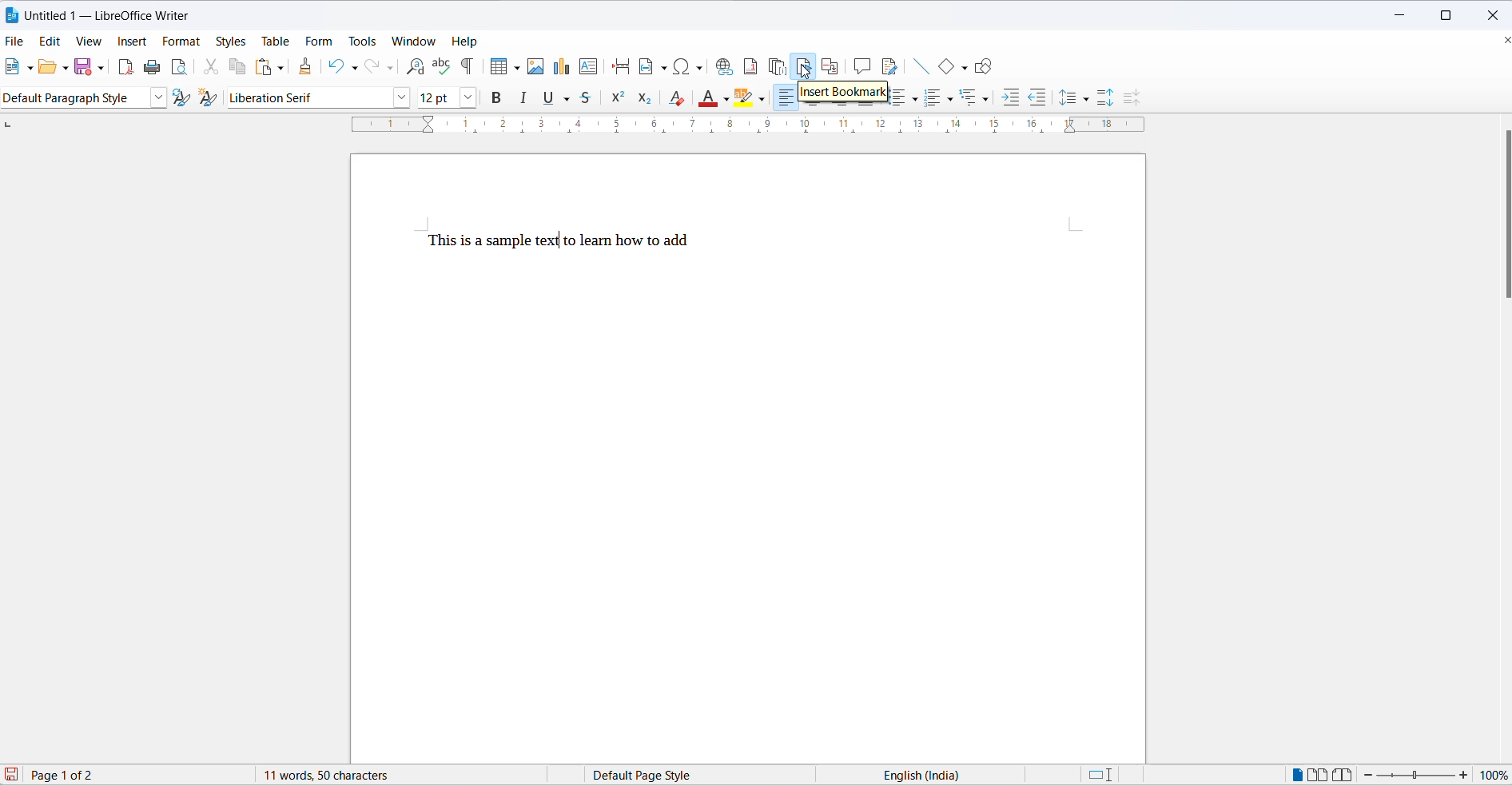 The image size is (1512, 786). I want to click on add text, so click(591, 67).